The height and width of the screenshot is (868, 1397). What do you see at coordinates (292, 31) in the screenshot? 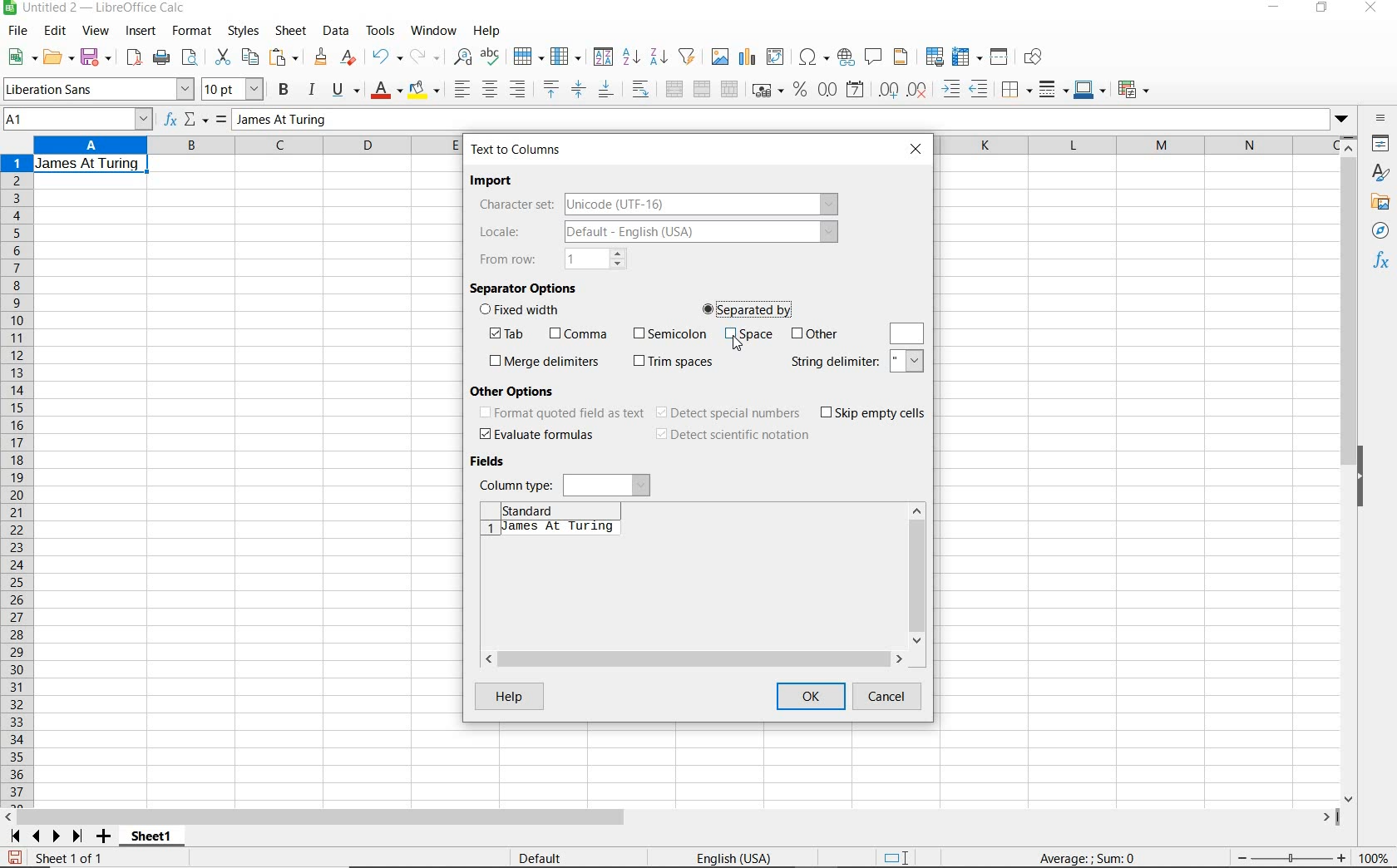
I see `sheet` at bounding box center [292, 31].